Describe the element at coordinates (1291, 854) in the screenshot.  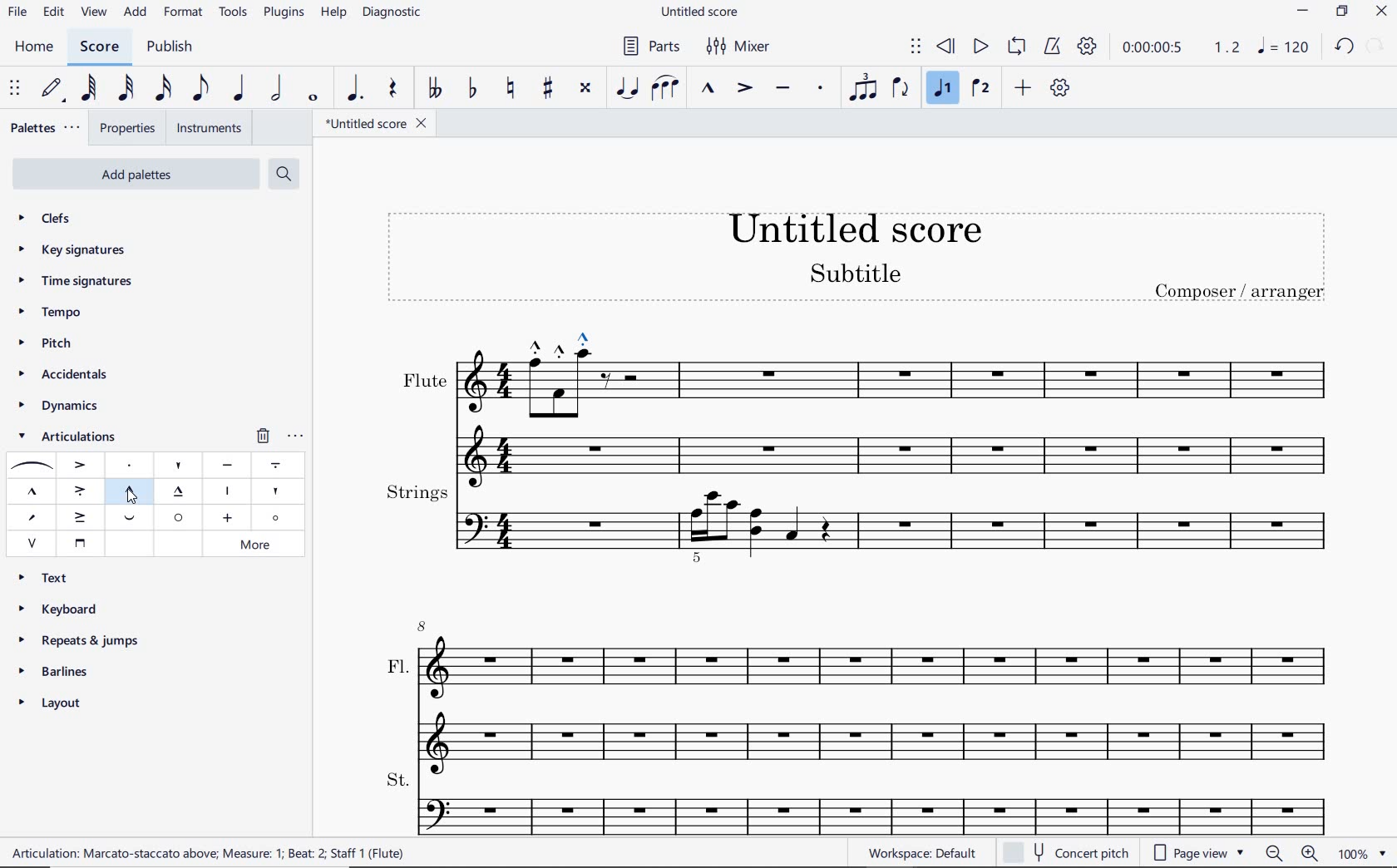
I see `zoom out or zoom in` at that location.